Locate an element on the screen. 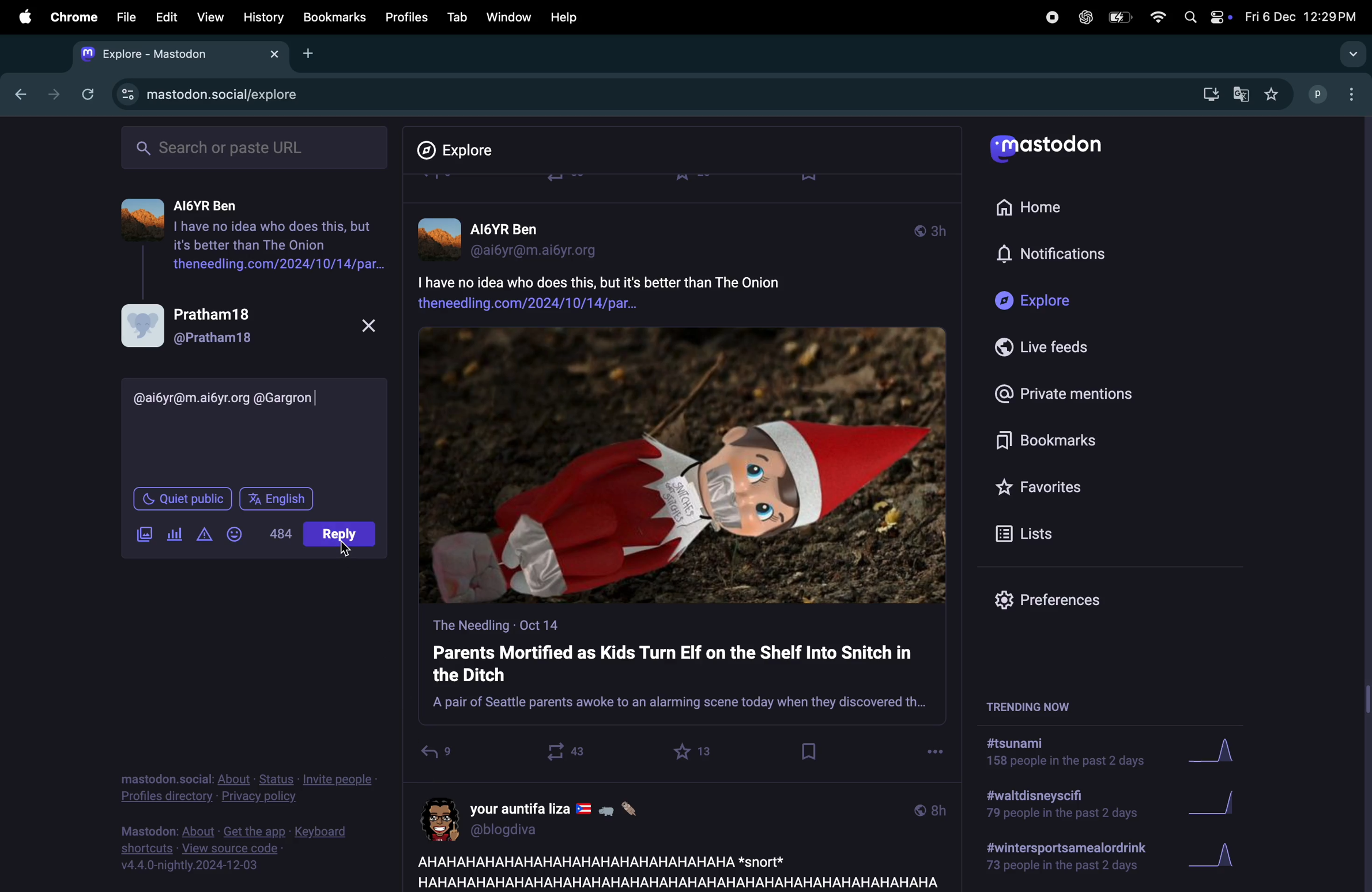 This screenshot has height=892, width=1372. Bookmarks is located at coordinates (1053, 443).